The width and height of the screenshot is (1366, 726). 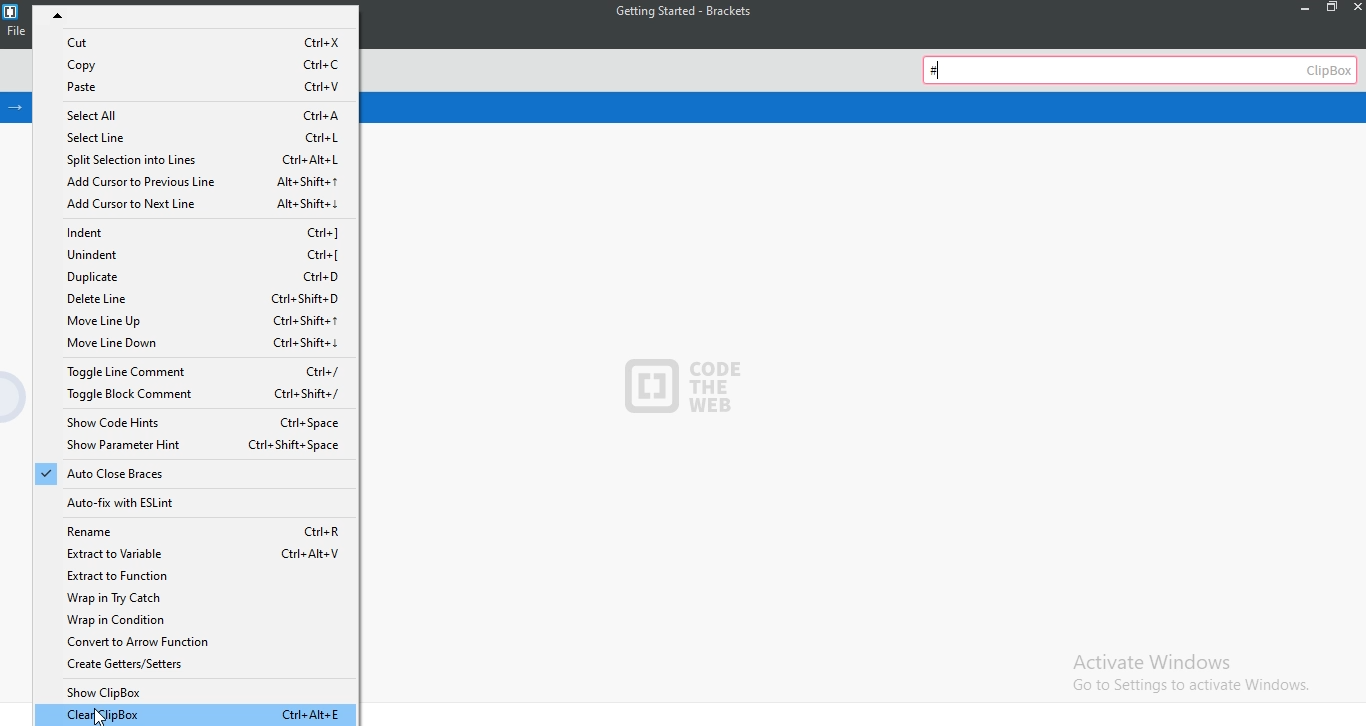 What do you see at coordinates (199, 642) in the screenshot?
I see `Convert to Arrow Function` at bounding box center [199, 642].